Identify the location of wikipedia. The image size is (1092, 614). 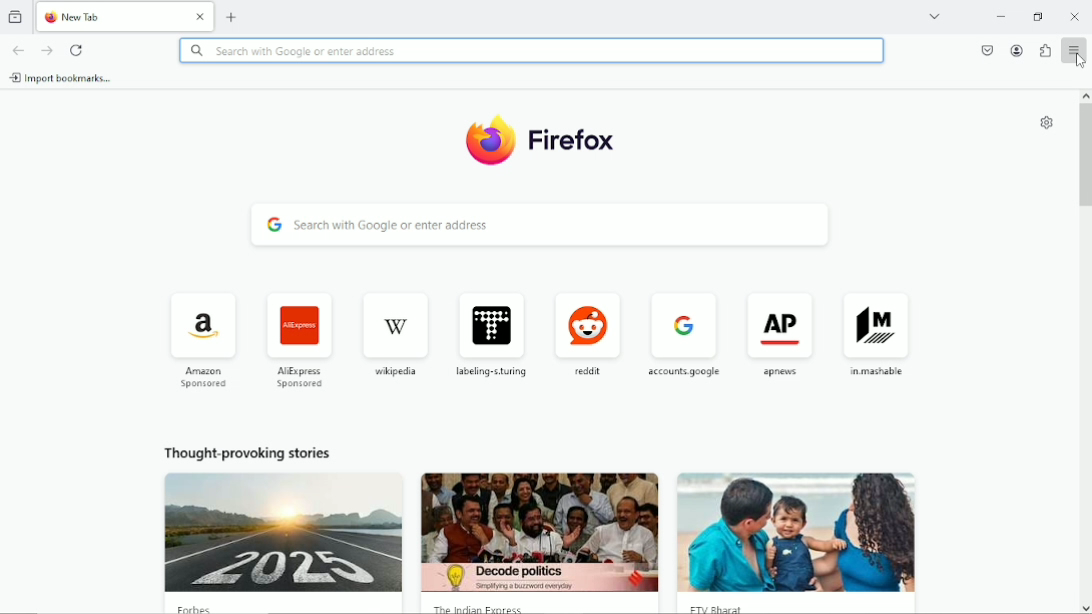
(392, 331).